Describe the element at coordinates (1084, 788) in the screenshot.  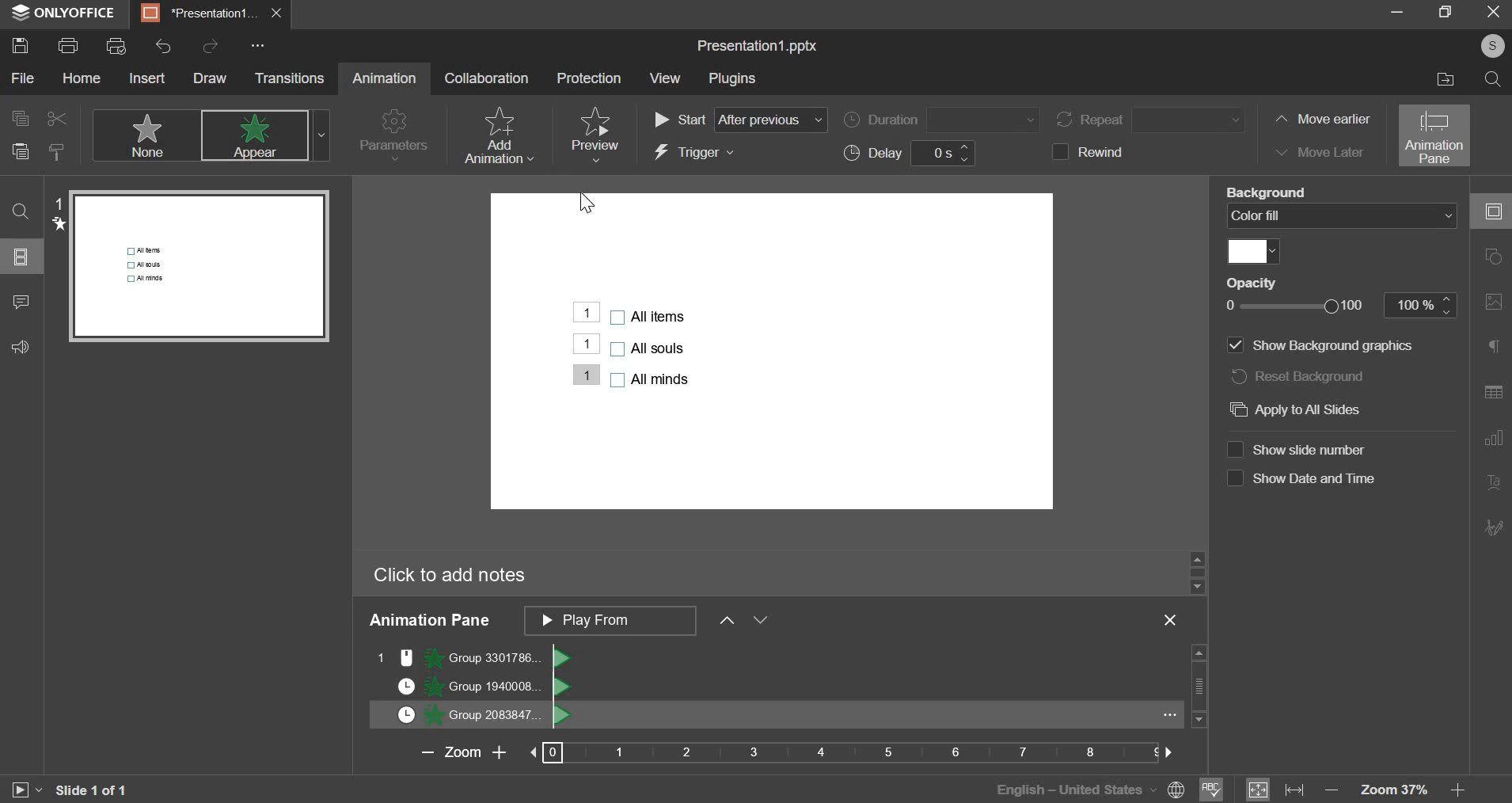
I see `language` at that location.